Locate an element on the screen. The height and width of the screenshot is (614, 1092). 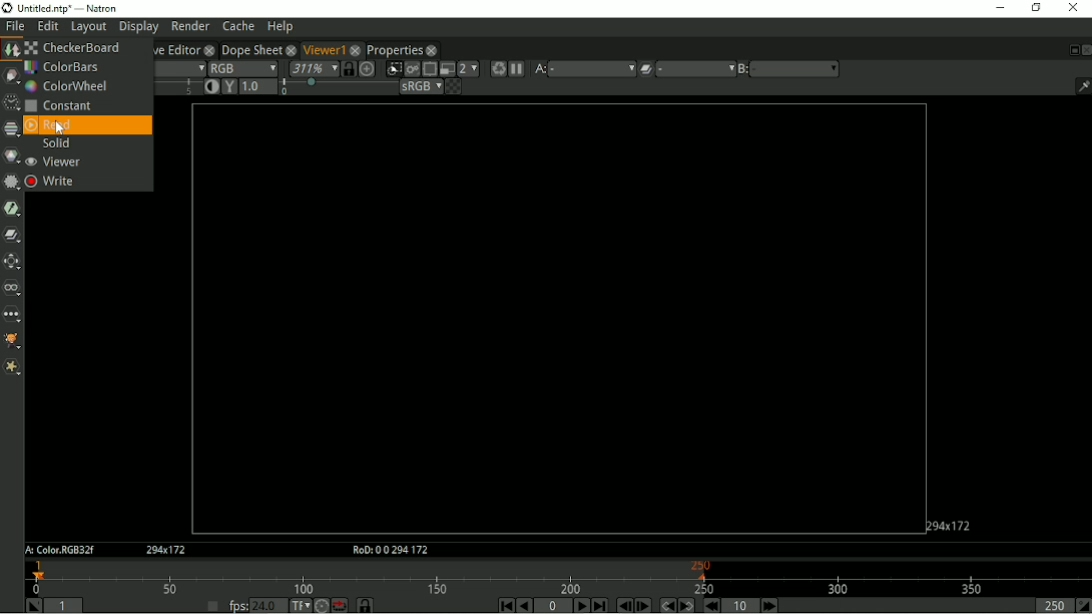
Set the playback out point at the current frame is located at coordinates (1083, 606).